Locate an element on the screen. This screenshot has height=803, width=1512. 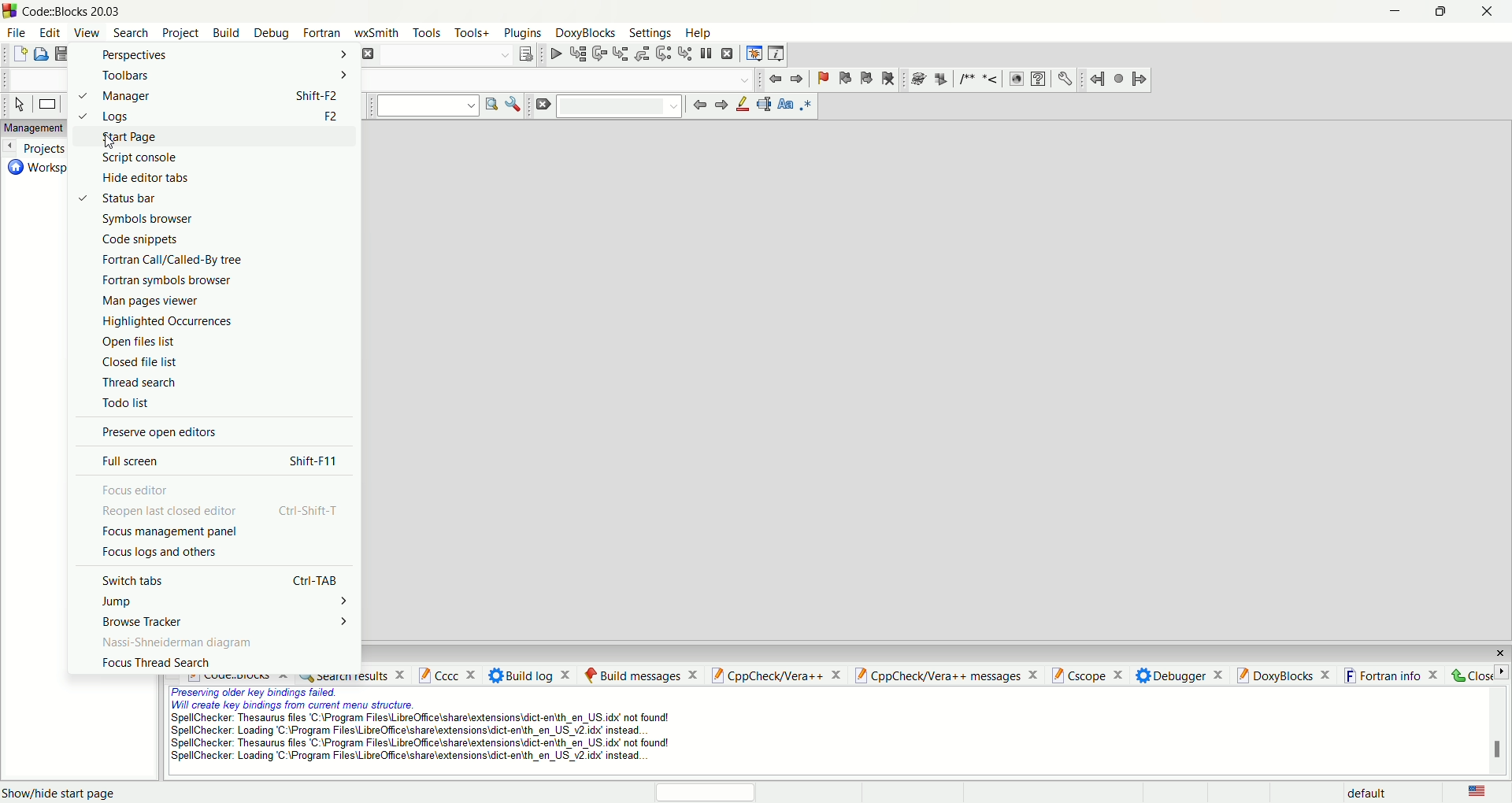
switch tabs is located at coordinates (223, 581).